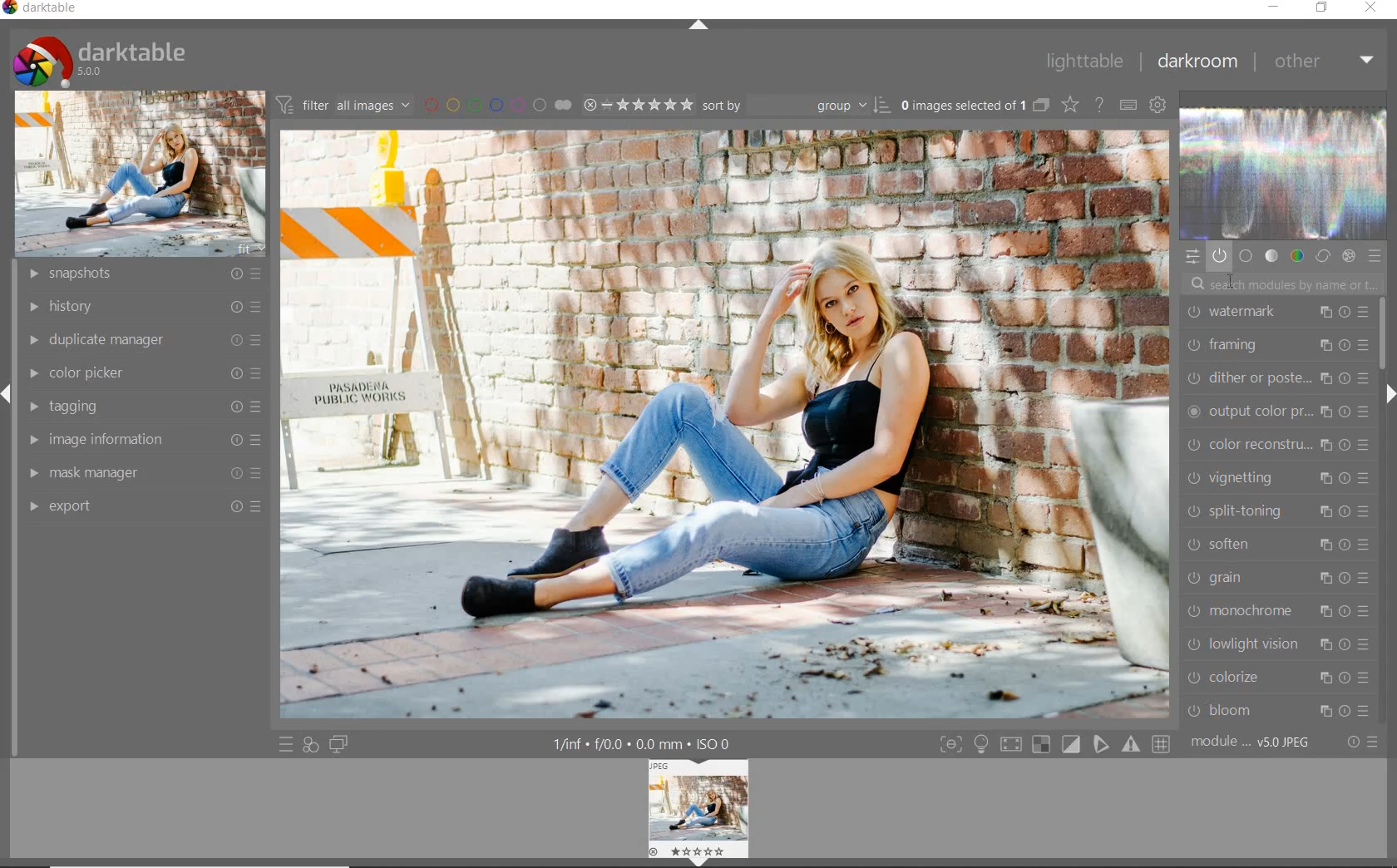 The width and height of the screenshot is (1397, 868). What do you see at coordinates (340, 744) in the screenshot?
I see `display a second darkroom image widow` at bounding box center [340, 744].